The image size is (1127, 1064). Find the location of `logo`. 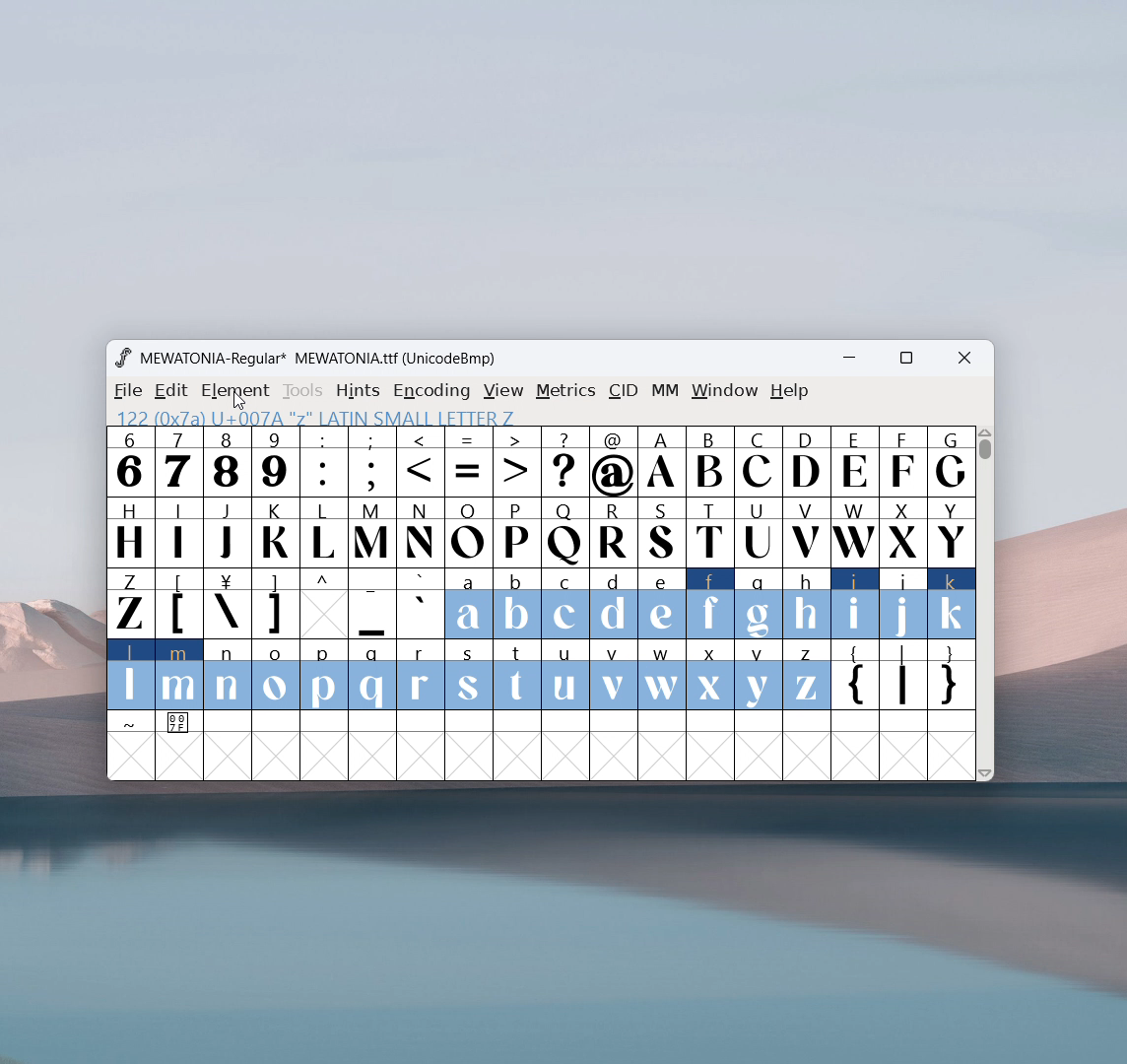

logo is located at coordinates (122, 358).